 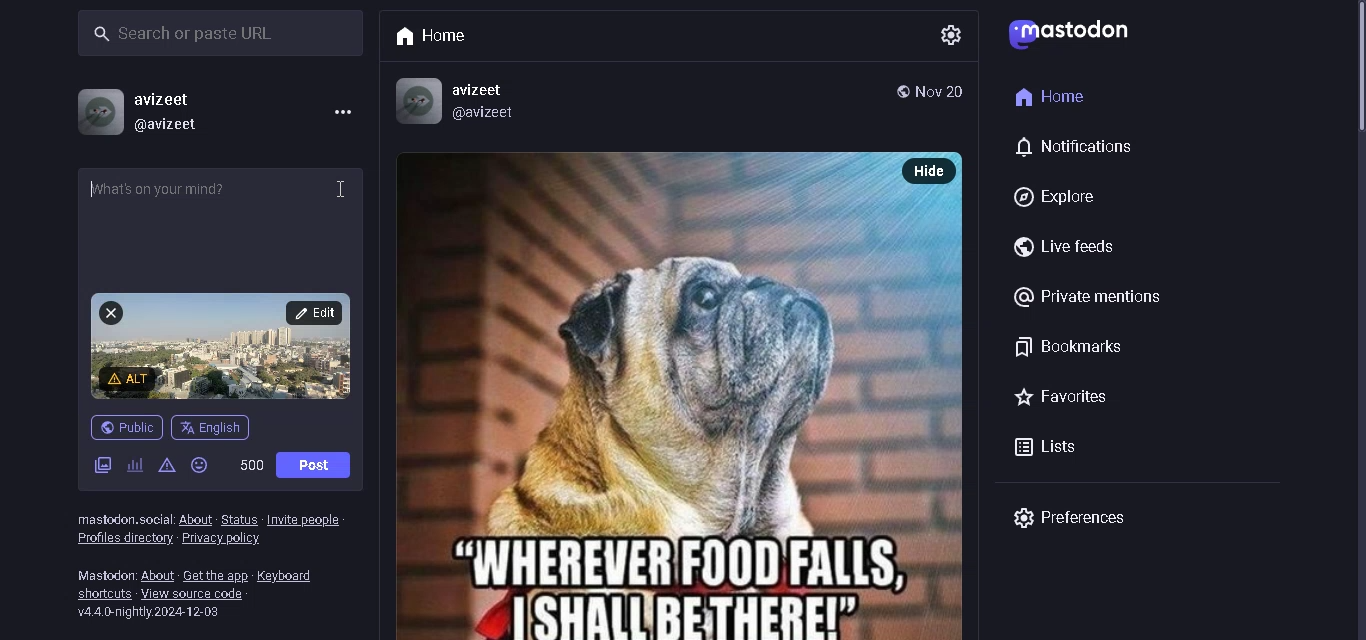 What do you see at coordinates (112, 315) in the screenshot?
I see `remove` at bounding box center [112, 315].